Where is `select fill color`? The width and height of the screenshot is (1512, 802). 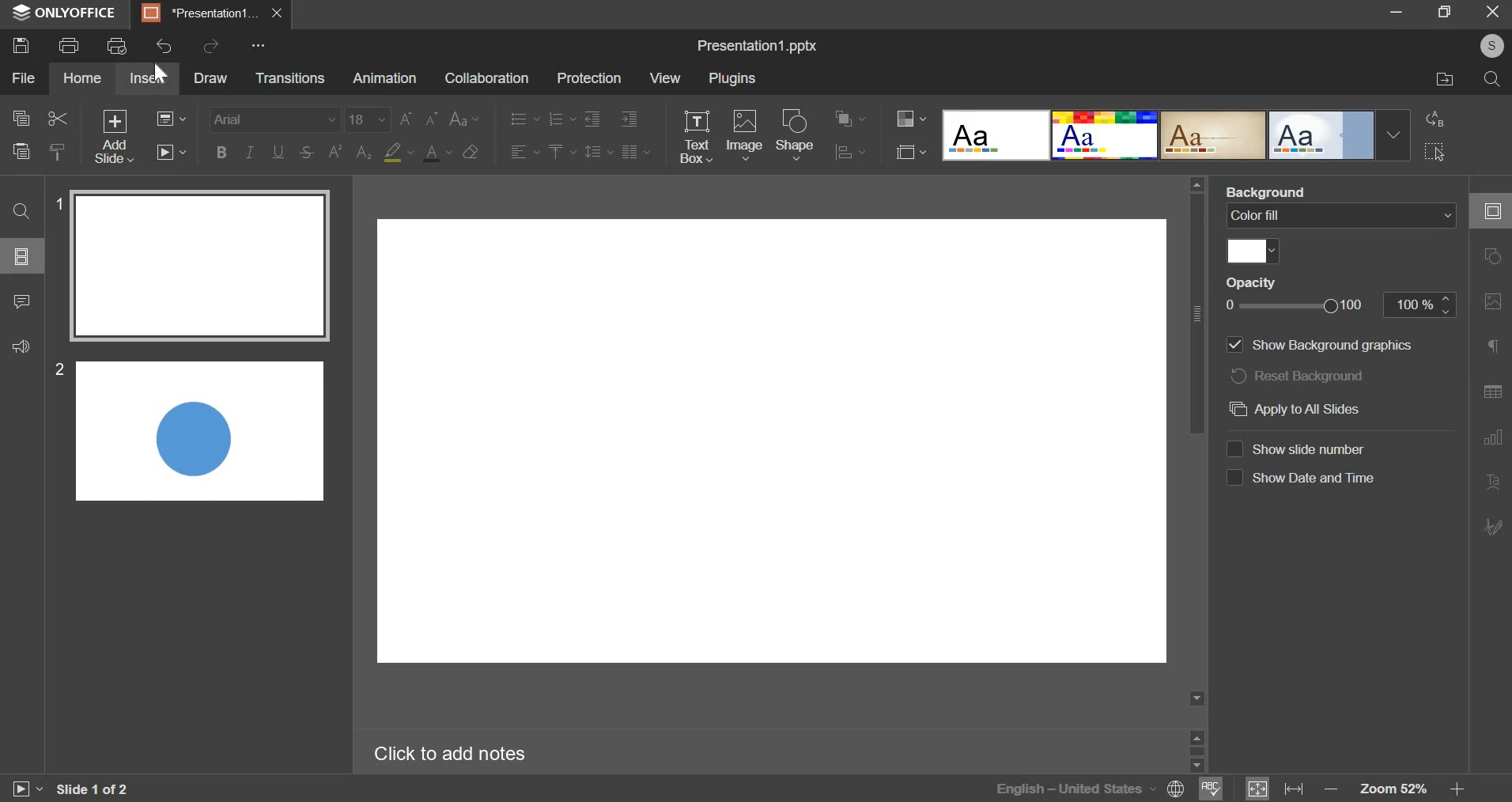
select fill color is located at coordinates (1254, 251).